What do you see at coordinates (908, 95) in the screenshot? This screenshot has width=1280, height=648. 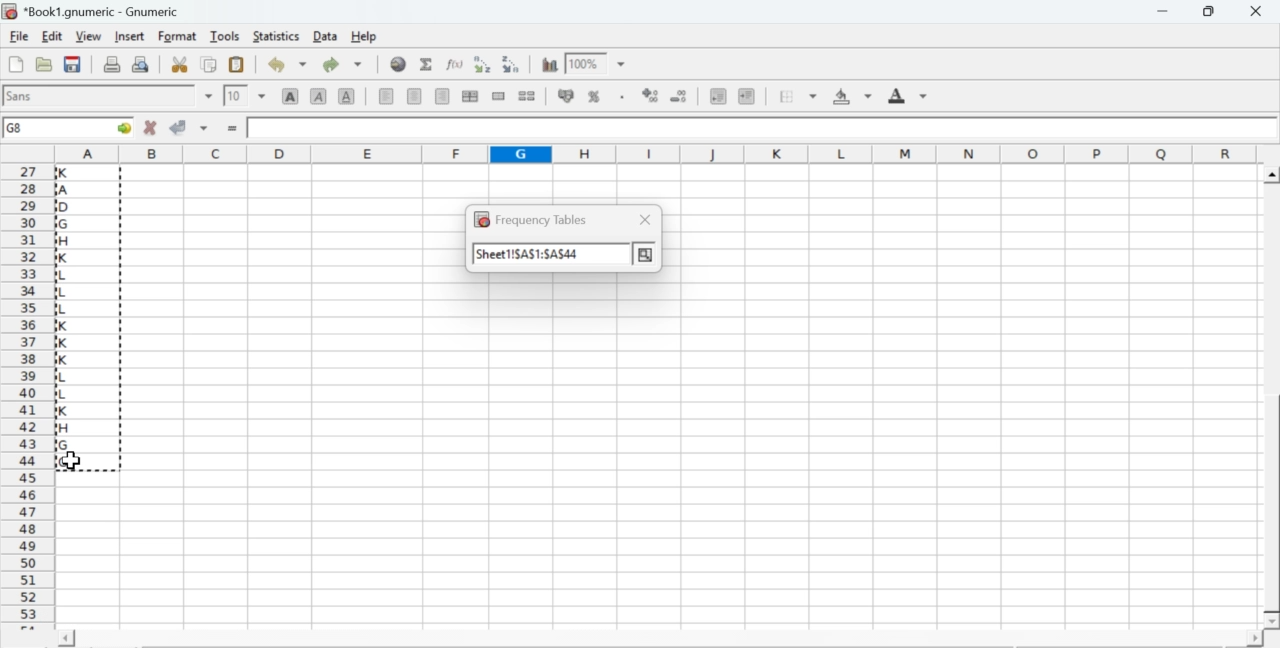 I see `foreground` at bounding box center [908, 95].